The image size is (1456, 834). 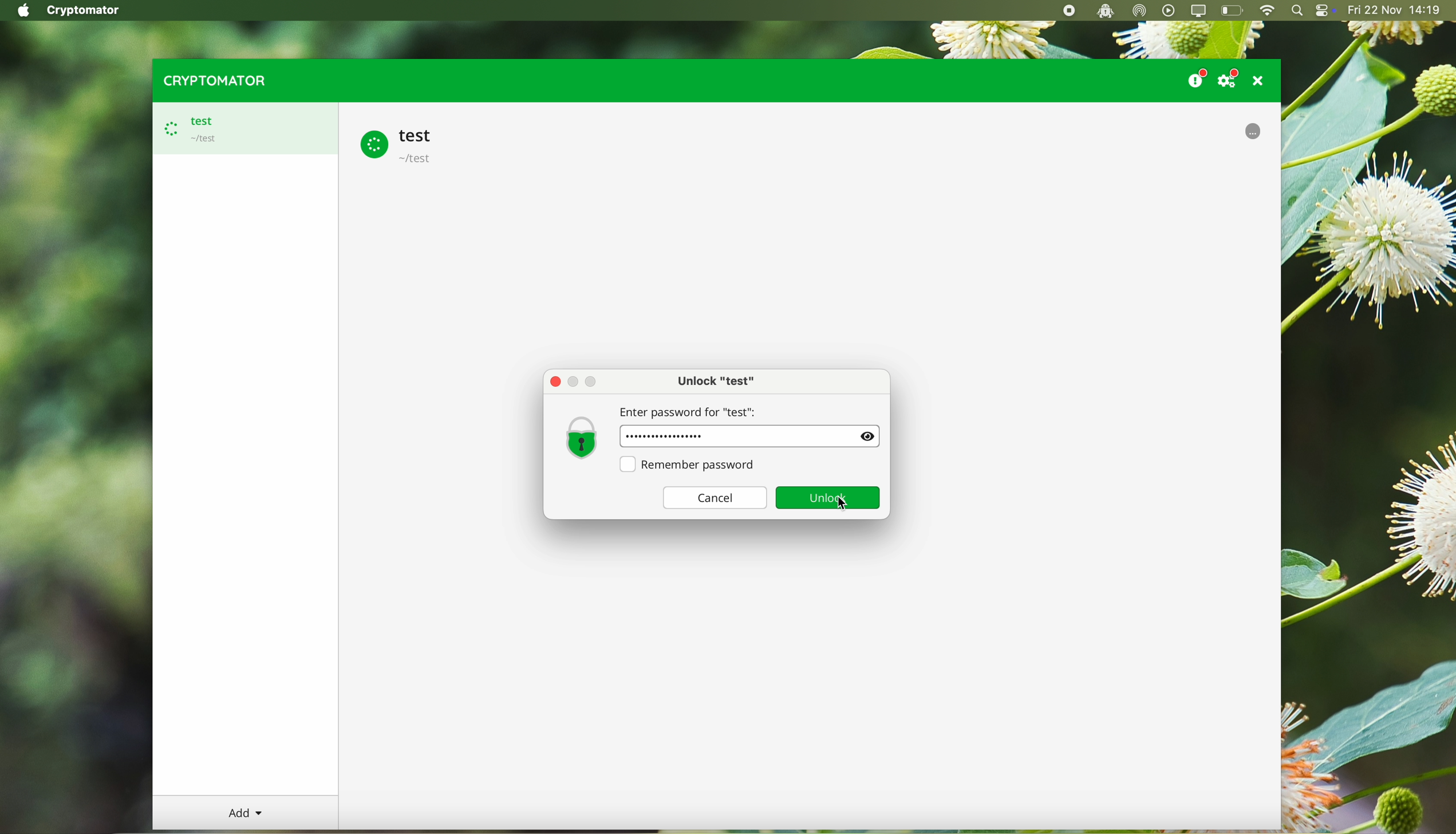 I want to click on enter password for "test", so click(x=741, y=412).